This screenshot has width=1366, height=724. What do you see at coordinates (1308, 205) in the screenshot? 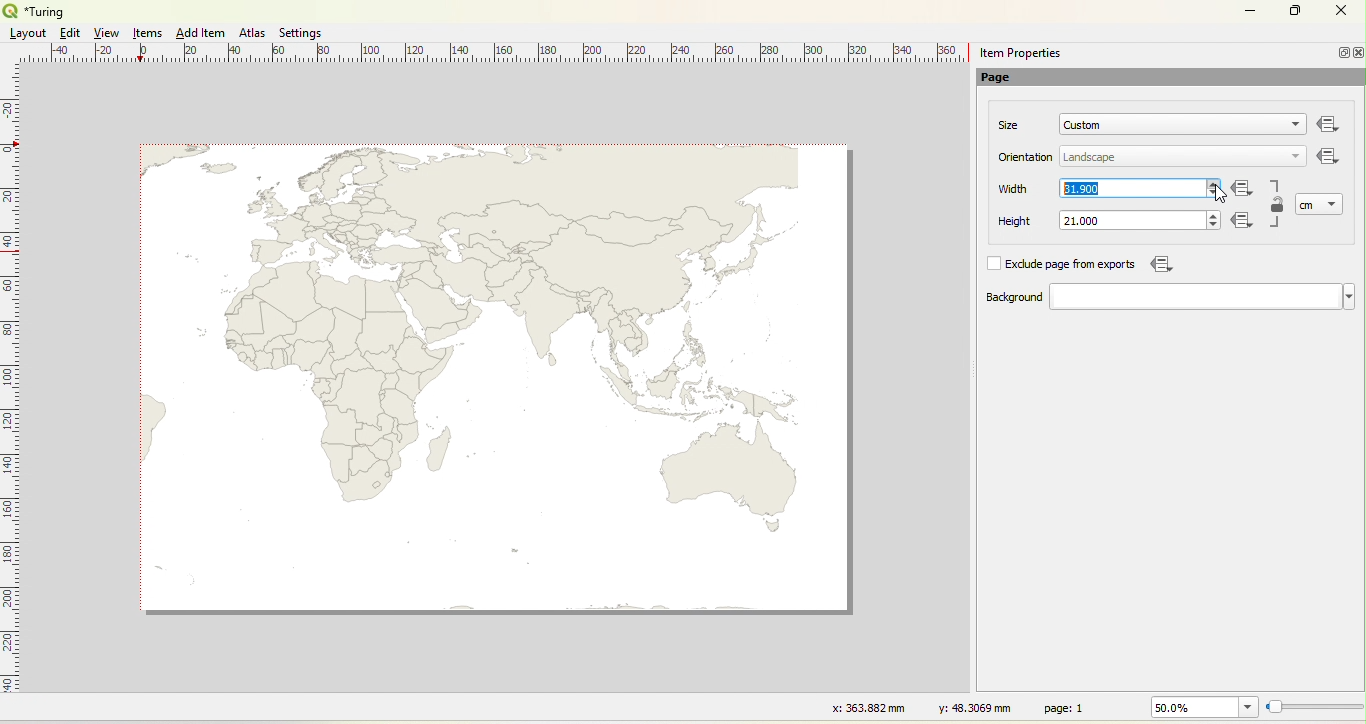
I see `cm` at bounding box center [1308, 205].